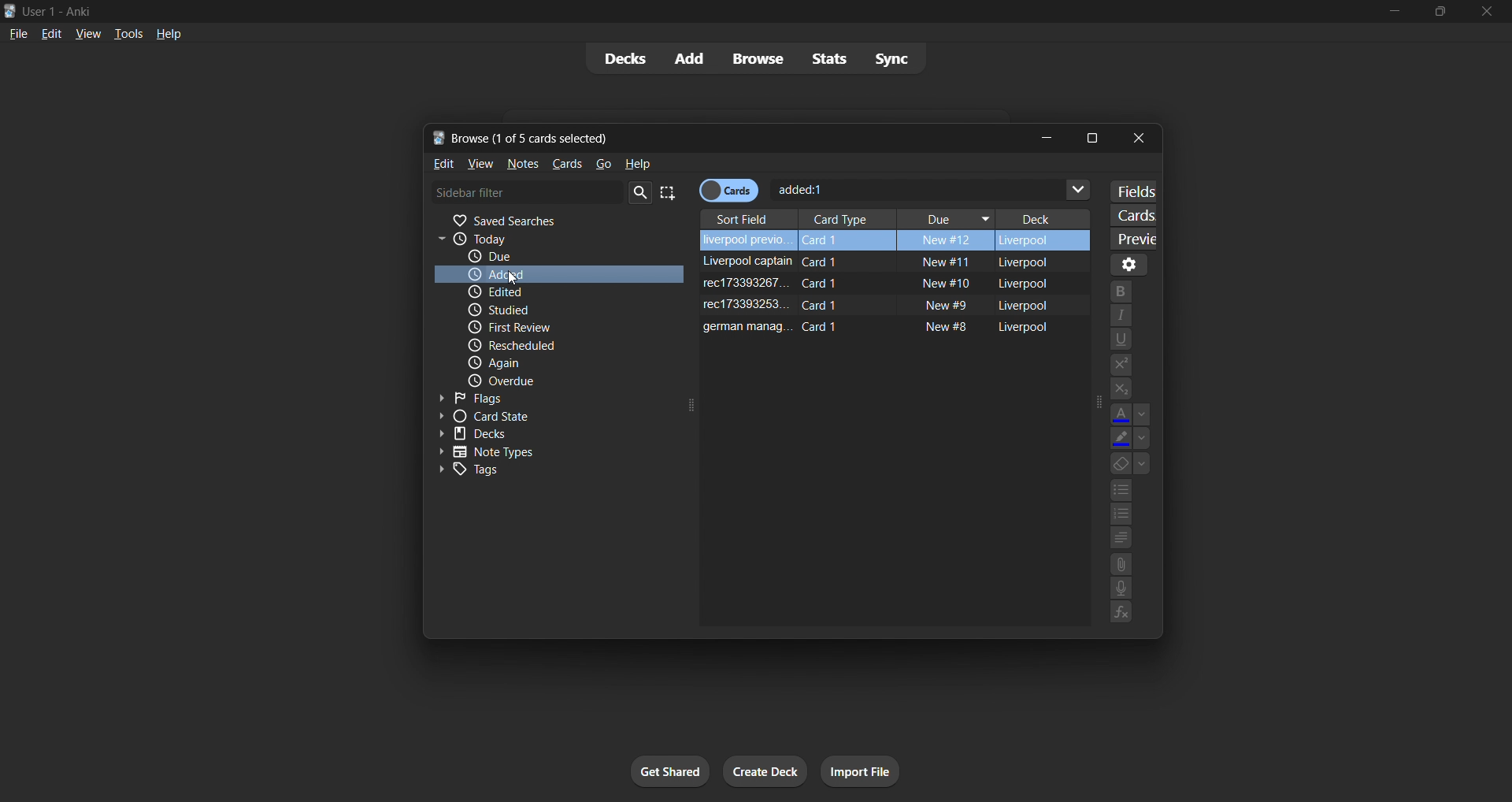 The image size is (1512, 802). I want to click on saved searches filter, so click(540, 219).